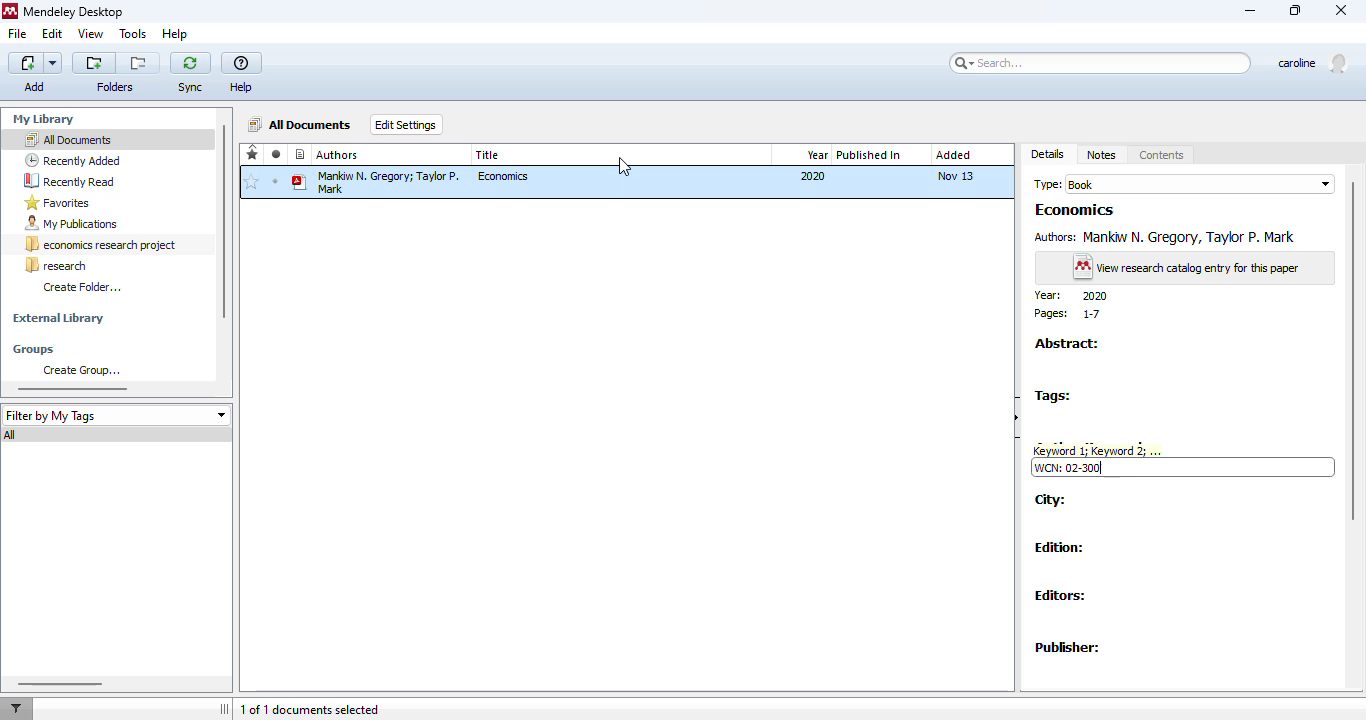  Describe the element at coordinates (253, 183) in the screenshot. I see `add to favorites` at that location.